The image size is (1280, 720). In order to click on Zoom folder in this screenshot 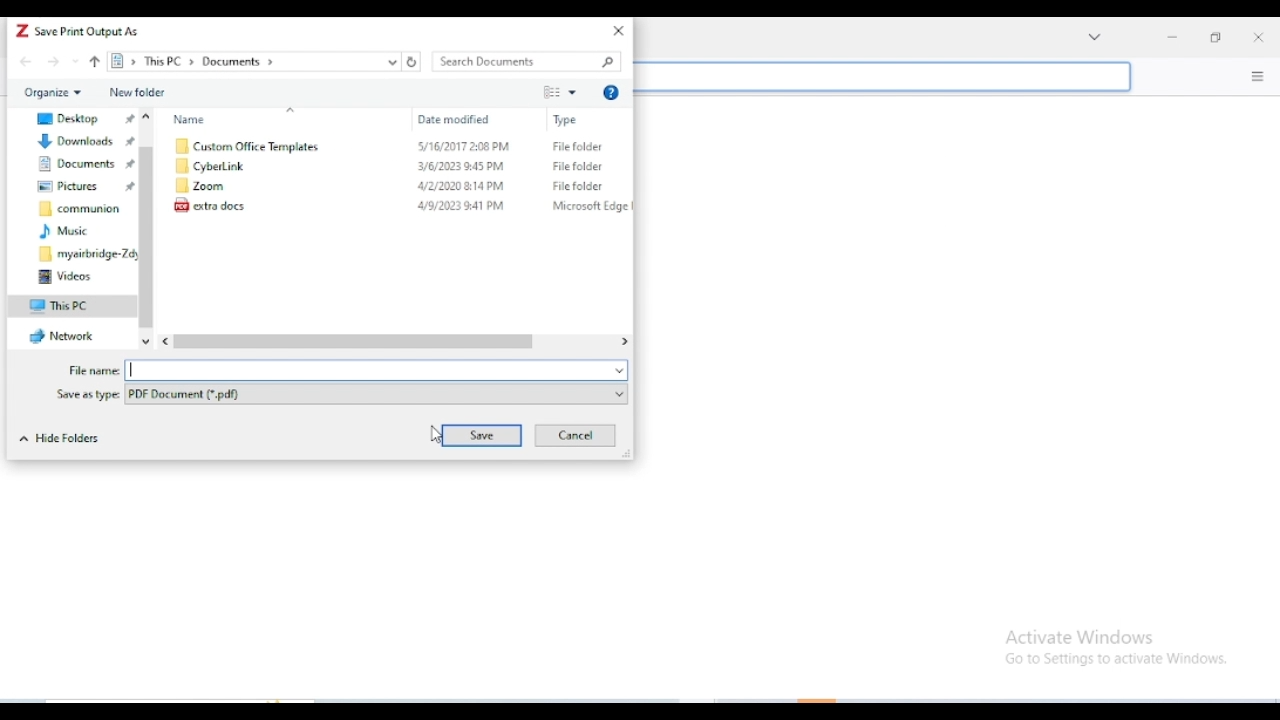, I will do `click(203, 185)`.